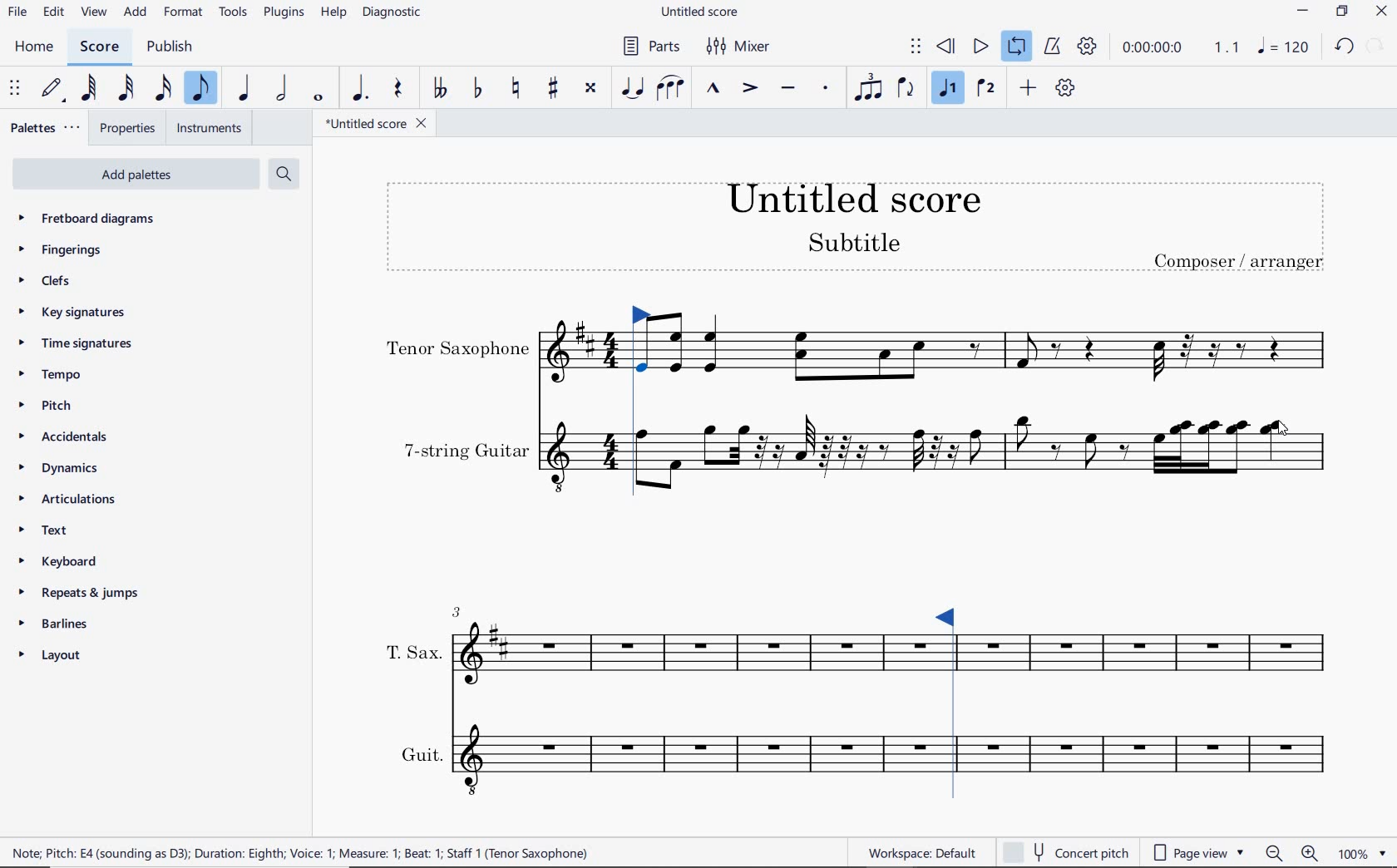  Describe the element at coordinates (1016, 45) in the screenshot. I see `LOOP PLAYBACK` at that location.